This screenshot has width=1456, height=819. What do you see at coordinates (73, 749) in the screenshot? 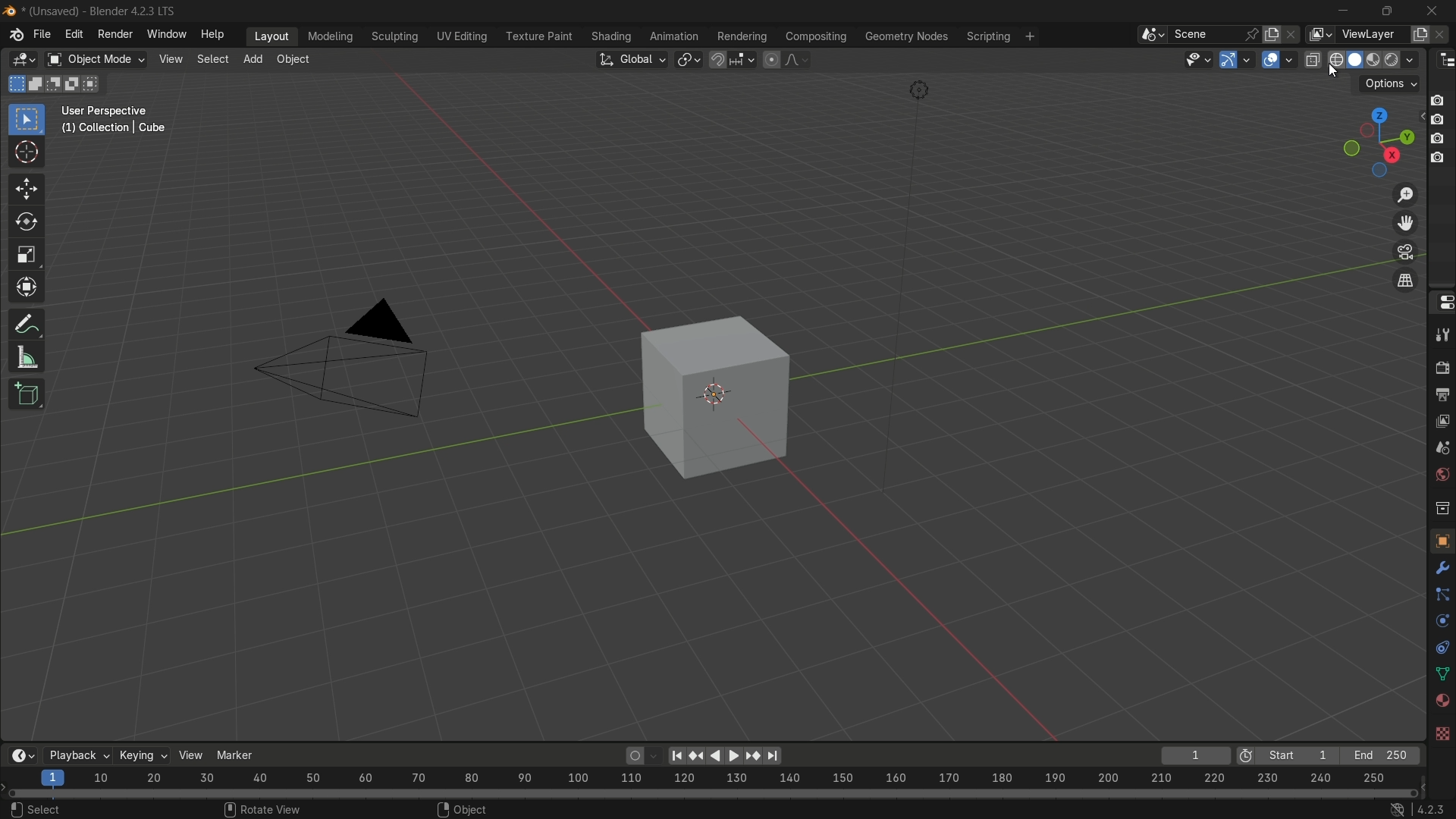
I see `playback` at bounding box center [73, 749].